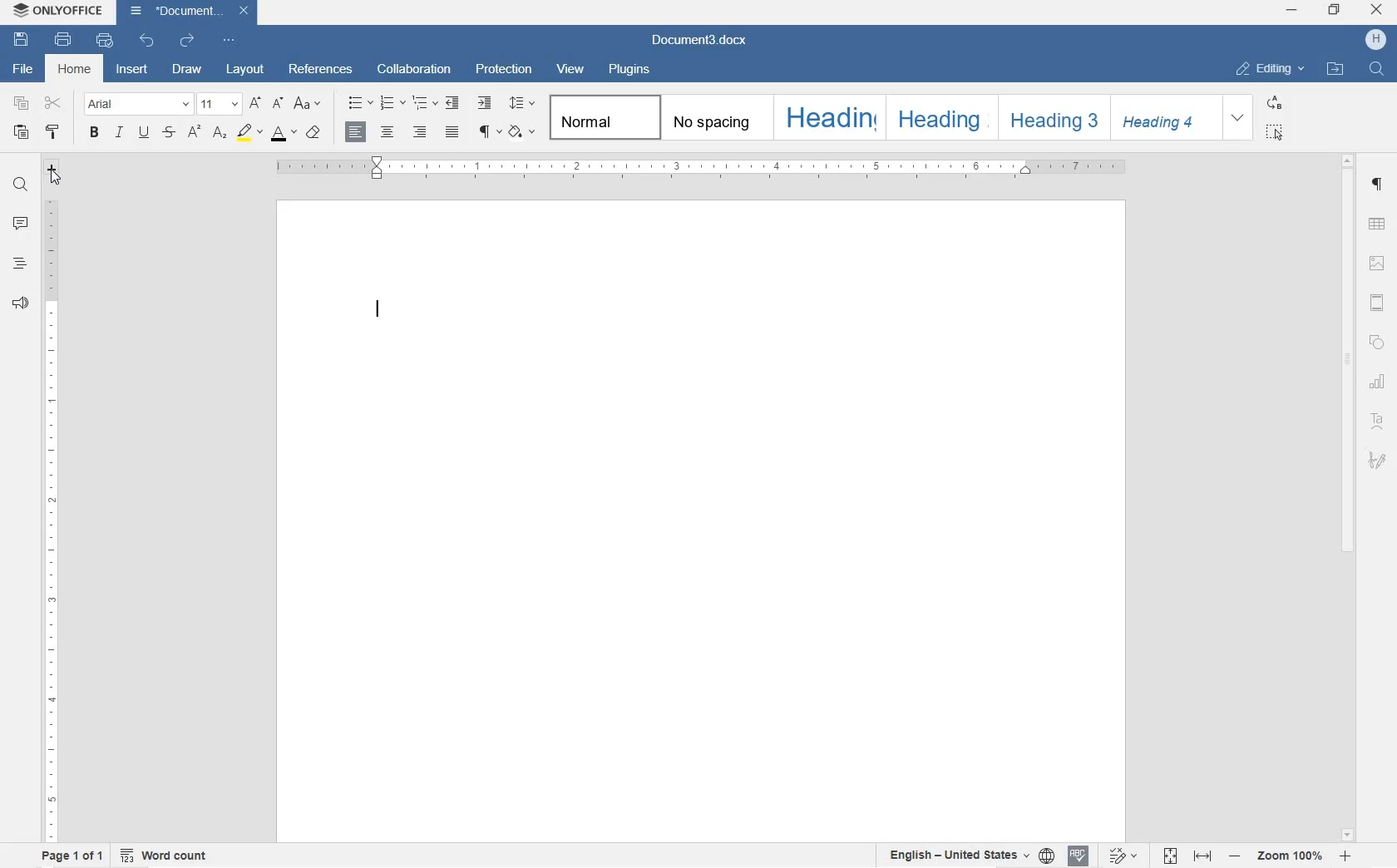 The width and height of the screenshot is (1397, 868). Describe the element at coordinates (309, 104) in the screenshot. I see `CHANGE CASE` at that location.